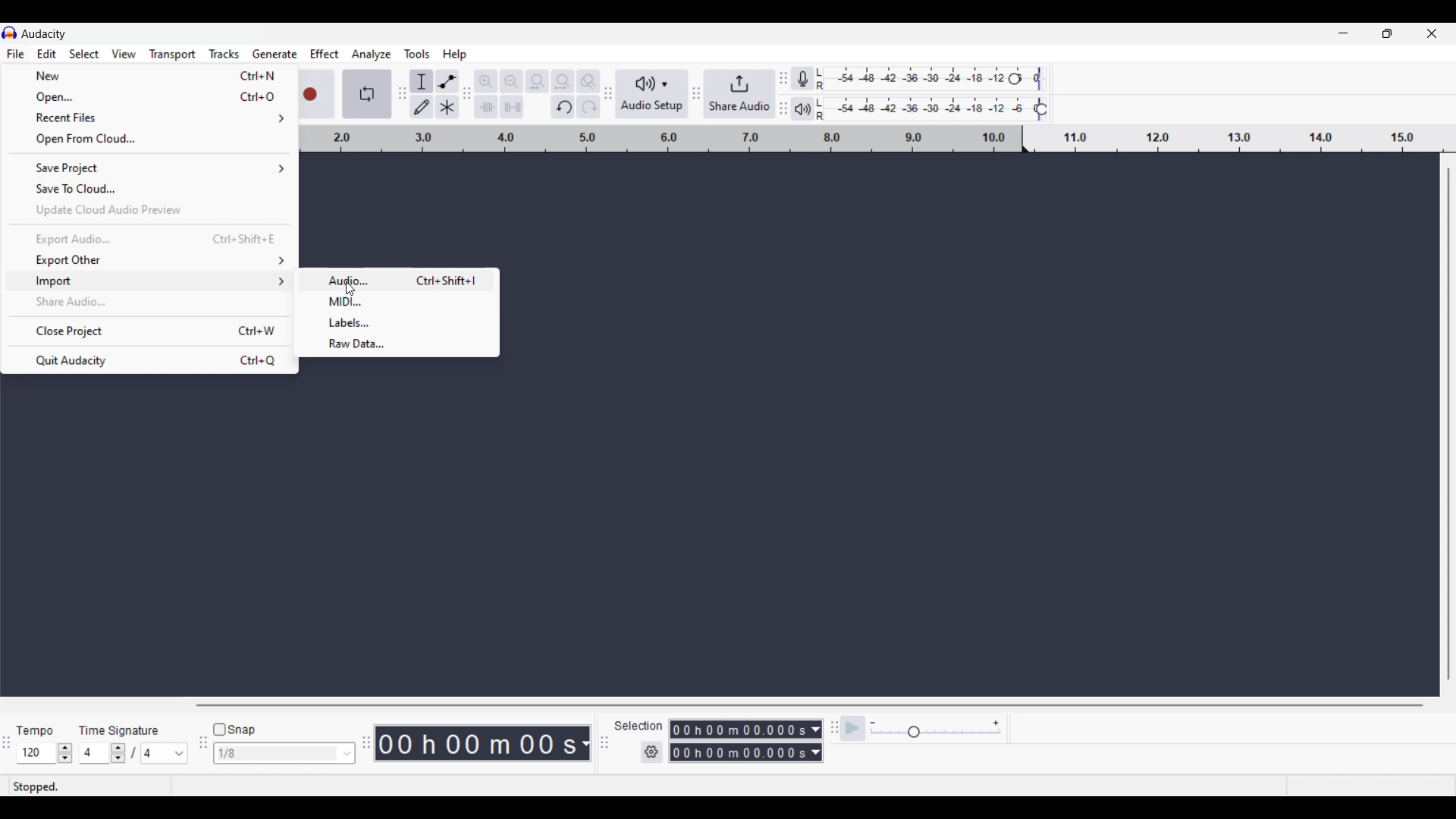 The width and height of the screenshot is (1456, 819). What do you see at coordinates (585, 108) in the screenshot?
I see `Redo` at bounding box center [585, 108].